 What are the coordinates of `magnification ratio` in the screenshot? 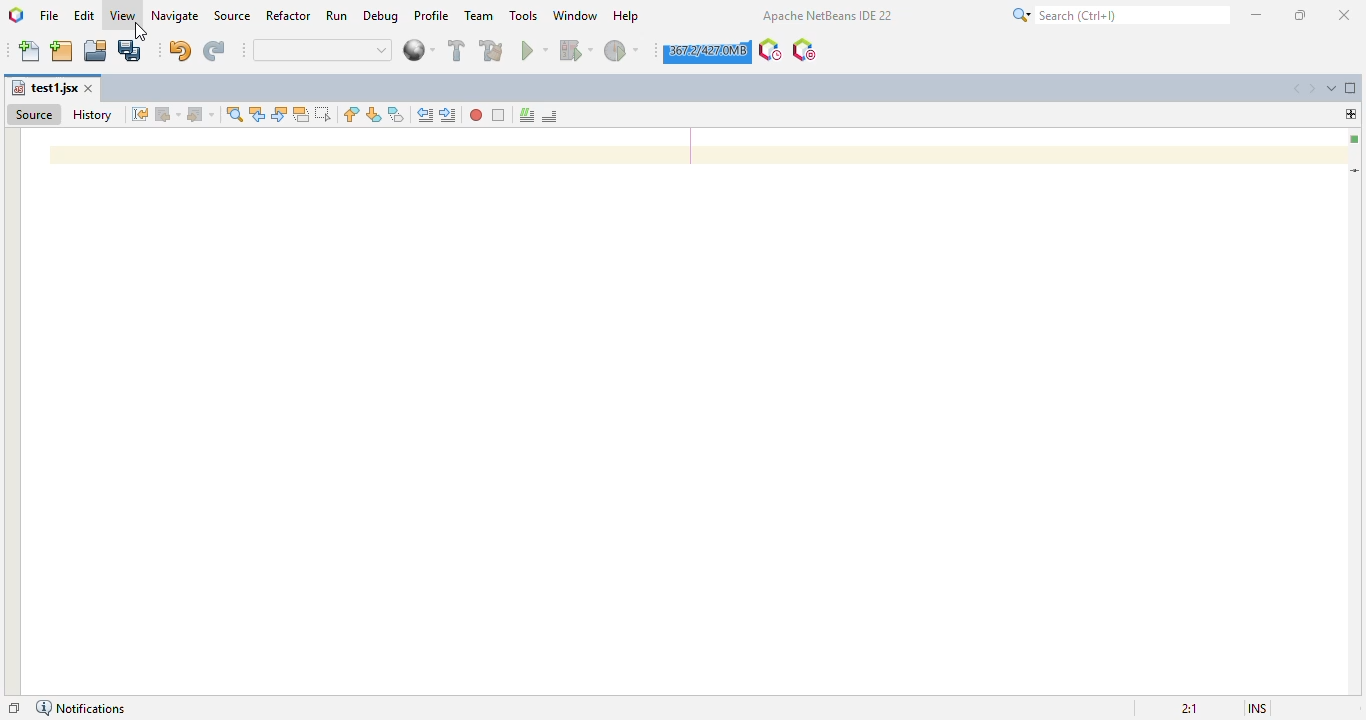 It's located at (1191, 709).